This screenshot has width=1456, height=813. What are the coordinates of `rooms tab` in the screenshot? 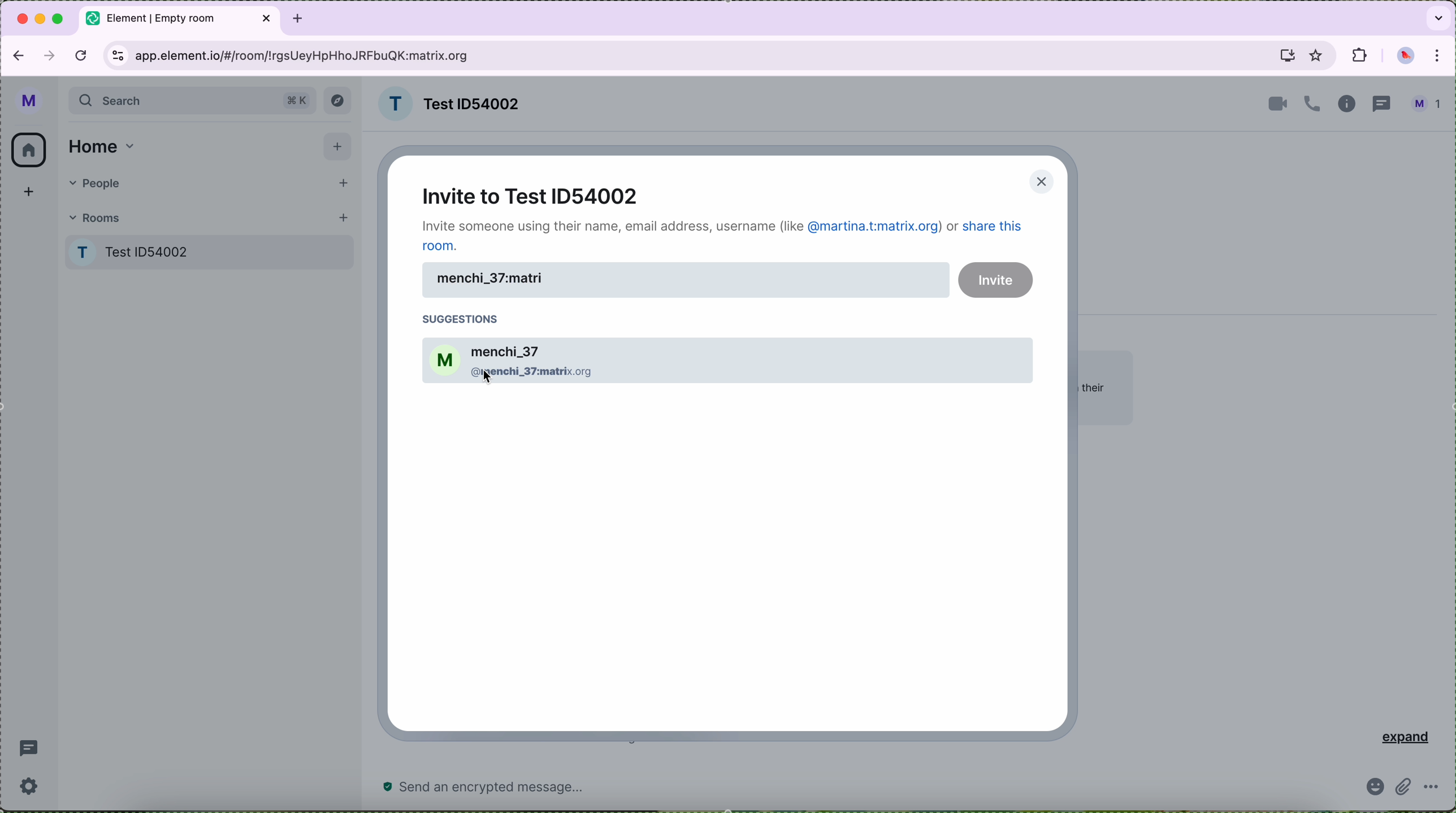 It's located at (209, 215).